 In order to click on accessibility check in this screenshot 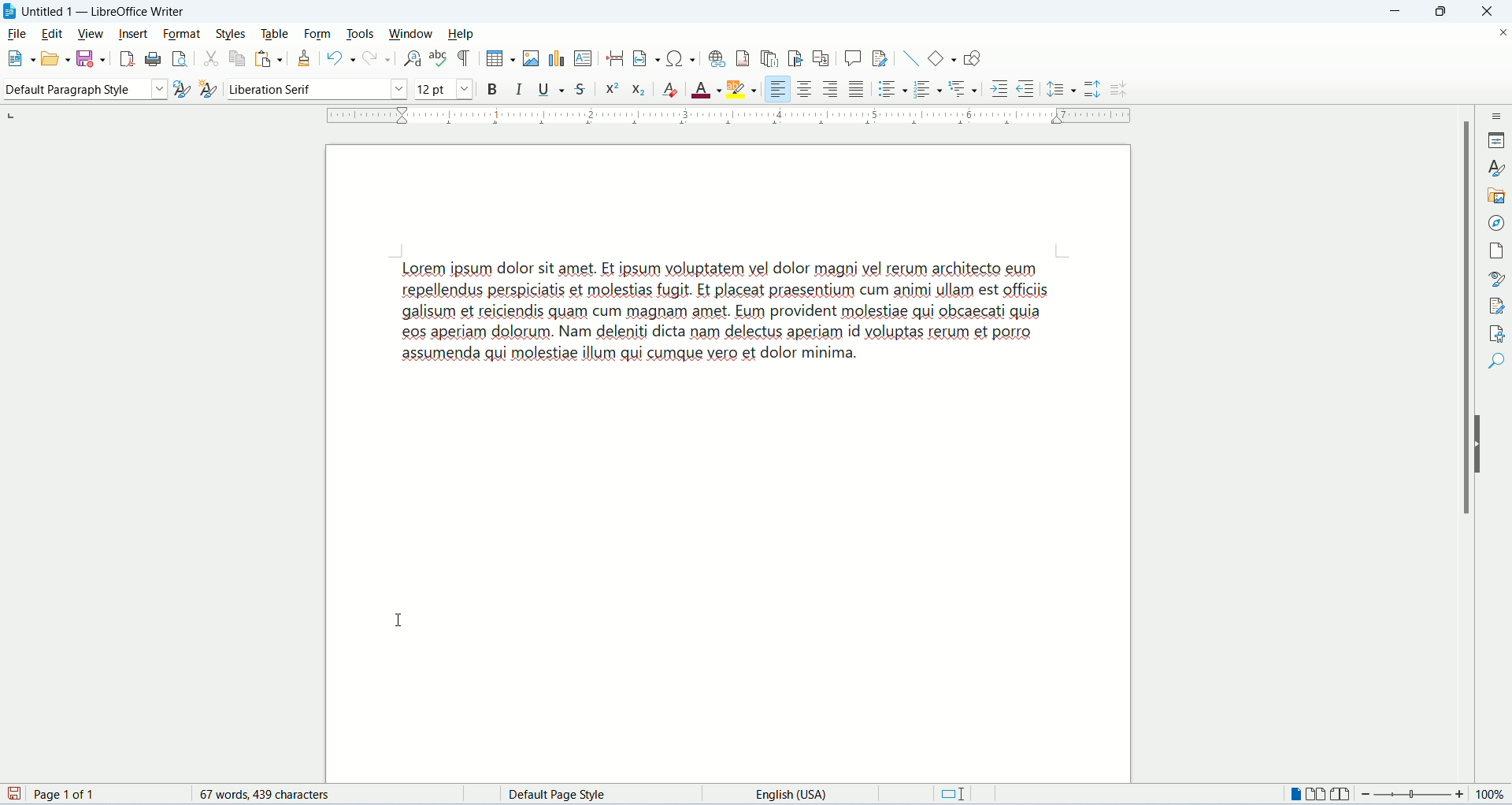, I will do `click(1498, 333)`.